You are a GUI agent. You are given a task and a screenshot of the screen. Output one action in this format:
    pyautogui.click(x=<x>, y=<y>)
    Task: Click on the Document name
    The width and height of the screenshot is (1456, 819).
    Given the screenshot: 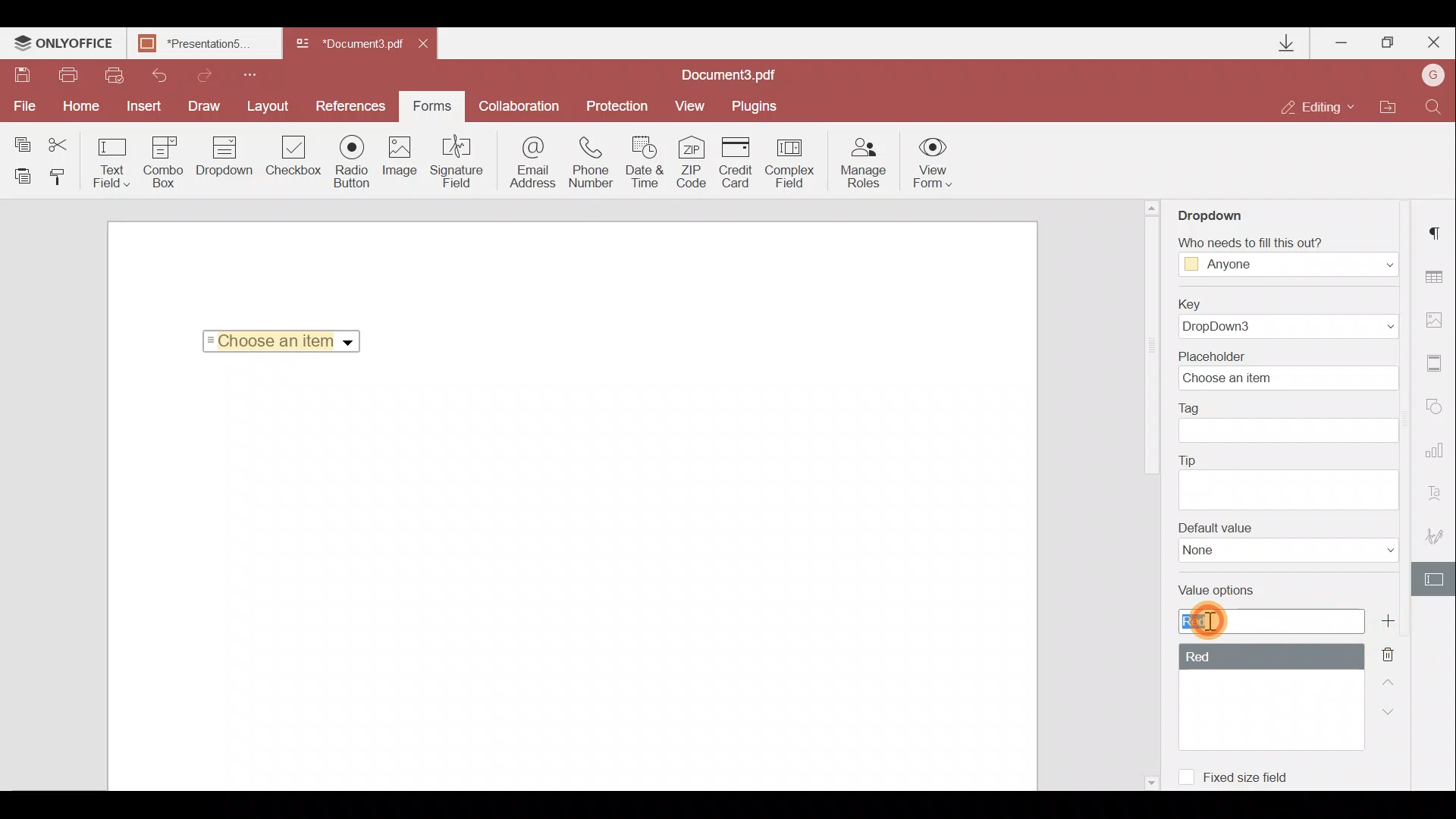 What is the action you would take?
    pyautogui.click(x=209, y=45)
    